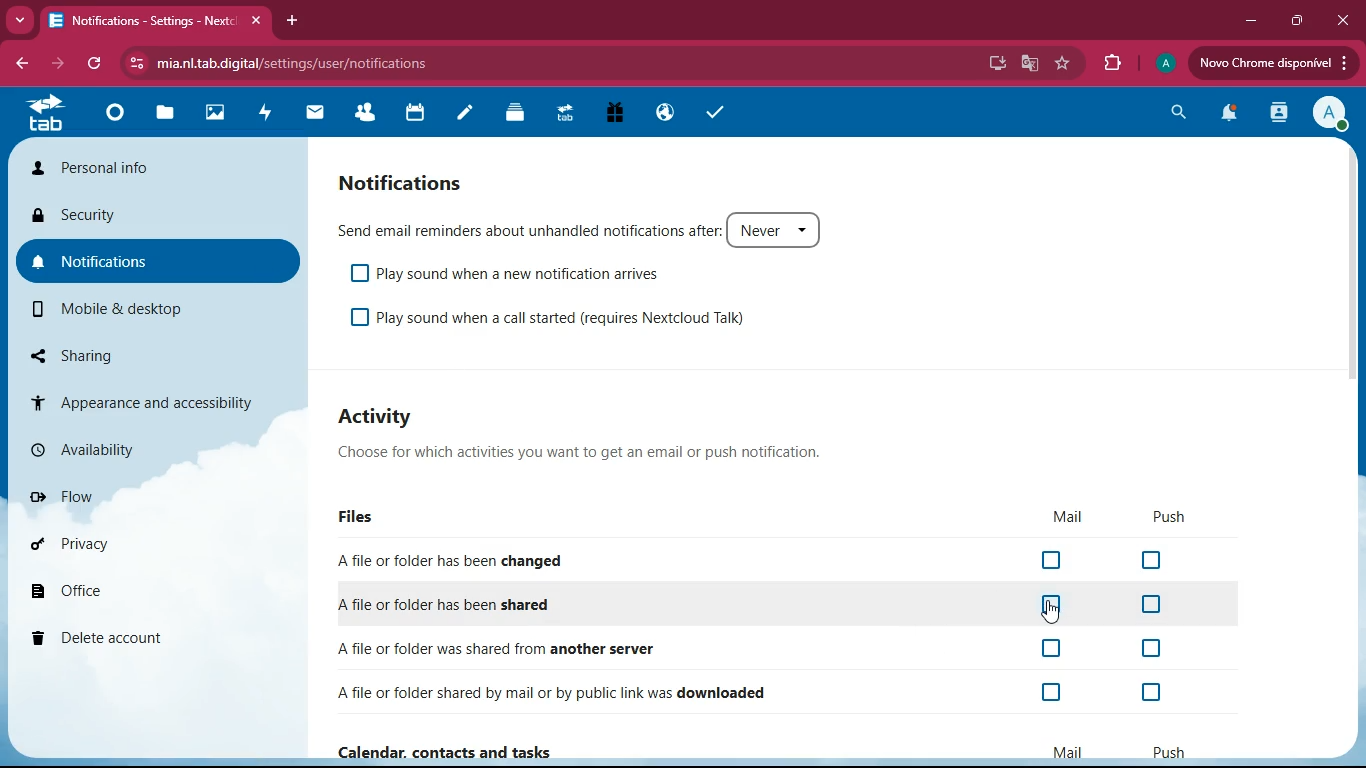  I want to click on availability, so click(143, 449).